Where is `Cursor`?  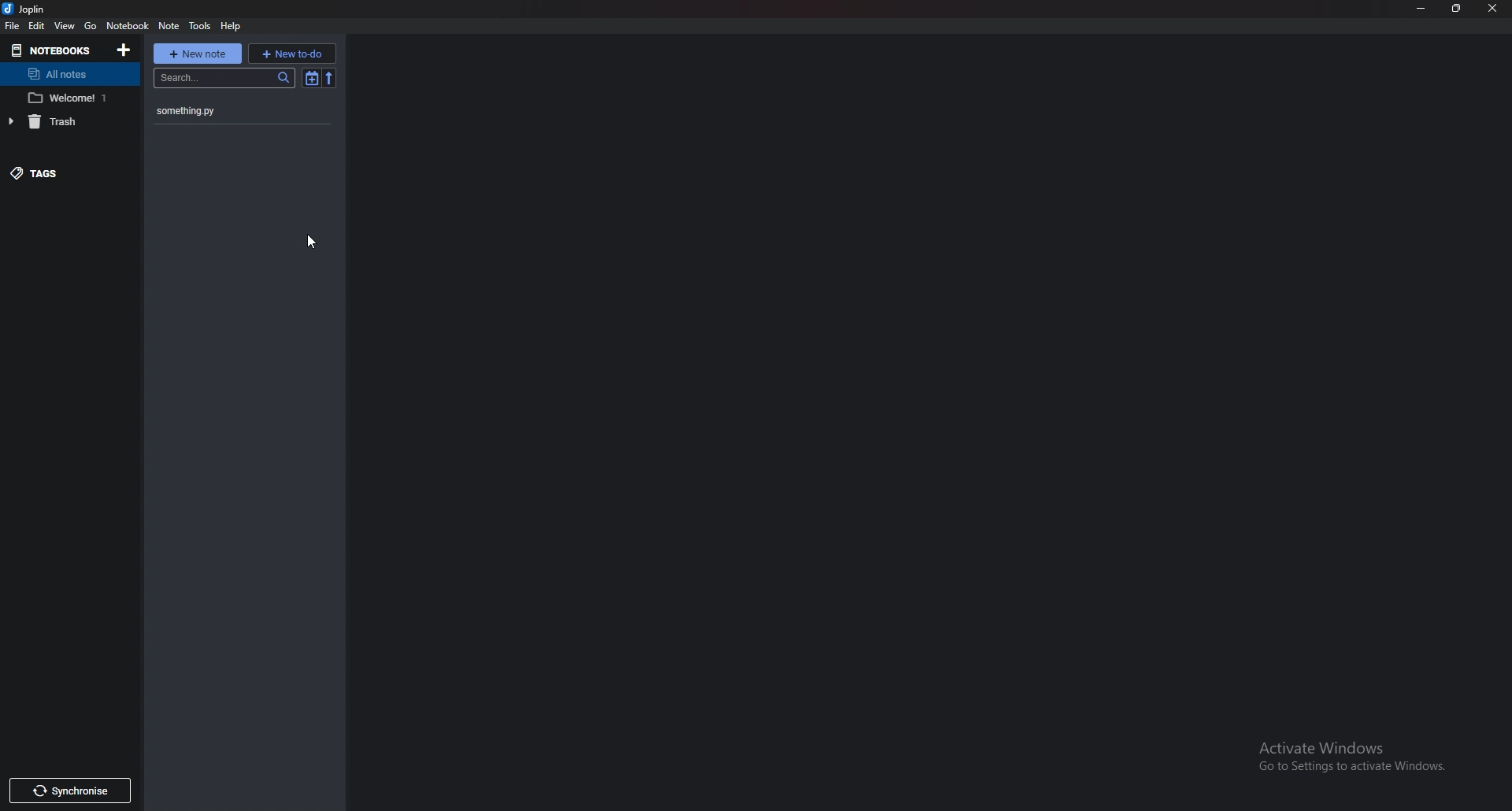 Cursor is located at coordinates (309, 240).